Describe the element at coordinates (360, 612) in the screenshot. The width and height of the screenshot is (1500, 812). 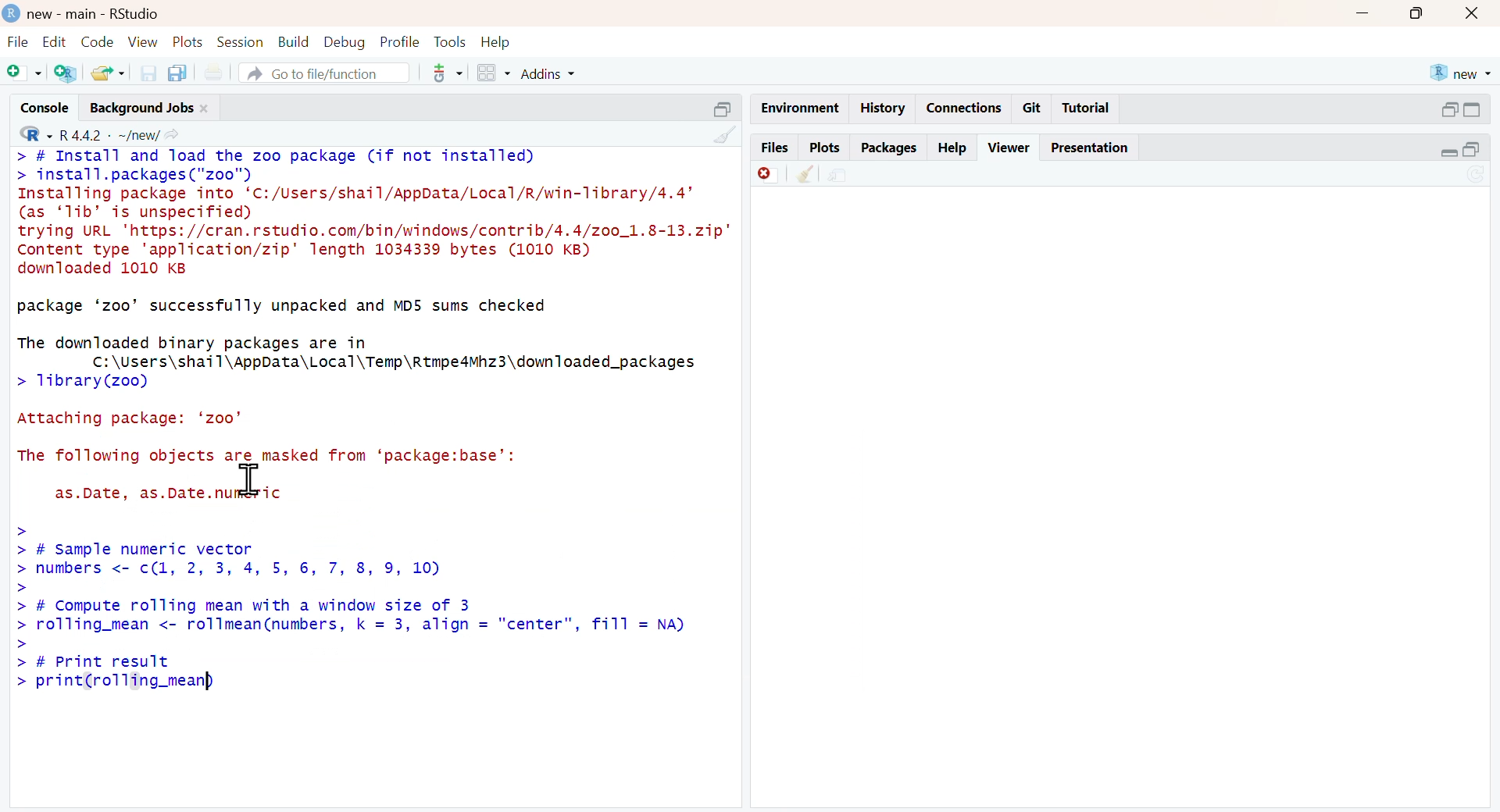
I see `>

> # Sample numeric vector

> numbers <- c(1, 2, 3, 4, 5, 6, 7, 8, 9, 10)

>

> # Compute rolling mean with a window size of 3

> rolling_mean <- rollmean(numbers, k = 3, align = "center", fi11 = NA)
>

> # Print result

> print(rolling_meanp` at that location.